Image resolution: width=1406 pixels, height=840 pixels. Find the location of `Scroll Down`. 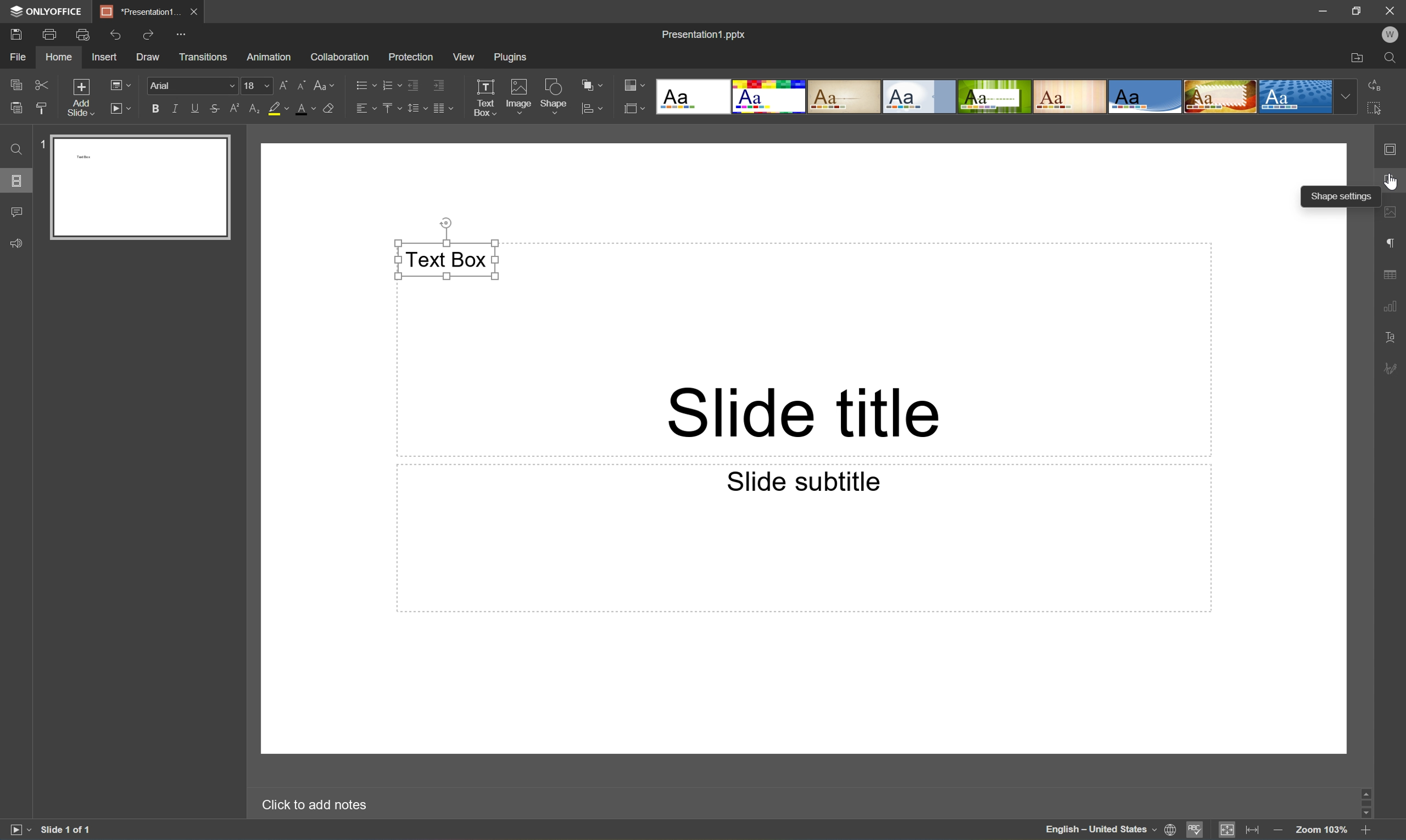

Scroll Down is located at coordinates (1366, 812).